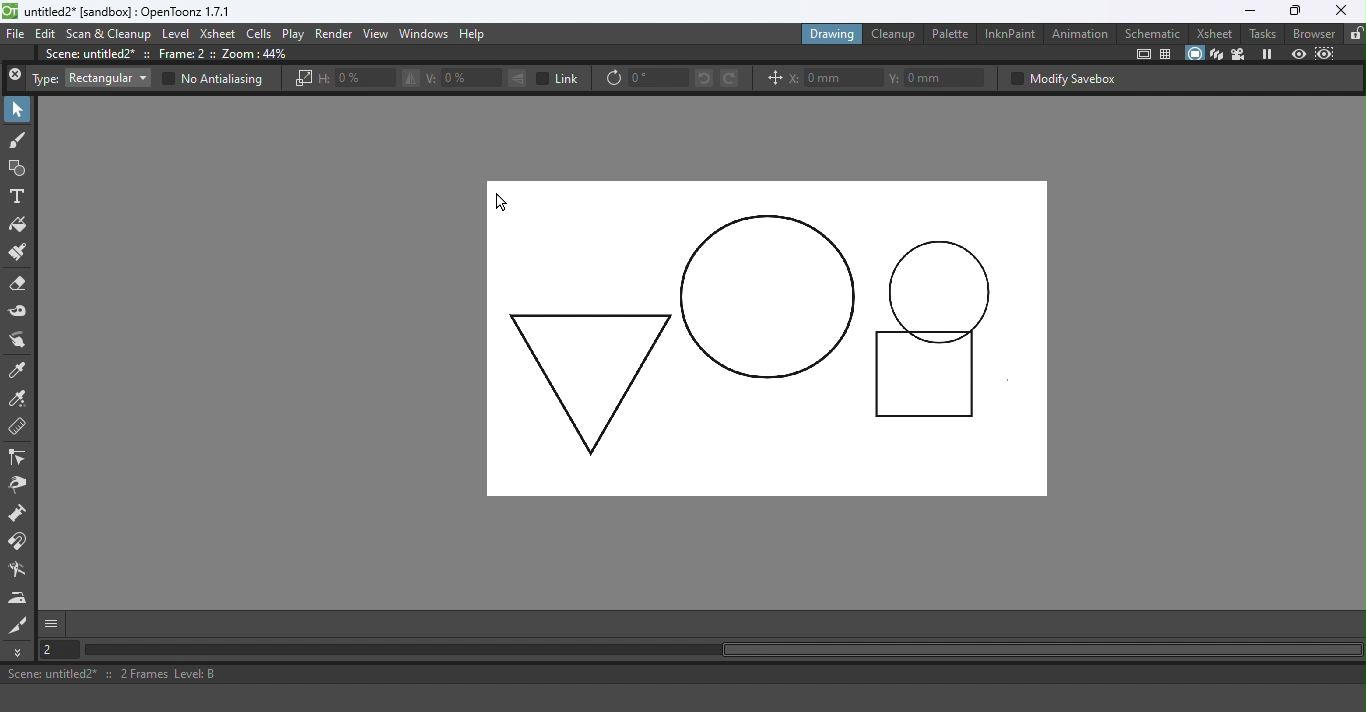 Image resolution: width=1366 pixels, height=712 pixels. What do you see at coordinates (20, 570) in the screenshot?
I see `Blender tool` at bounding box center [20, 570].